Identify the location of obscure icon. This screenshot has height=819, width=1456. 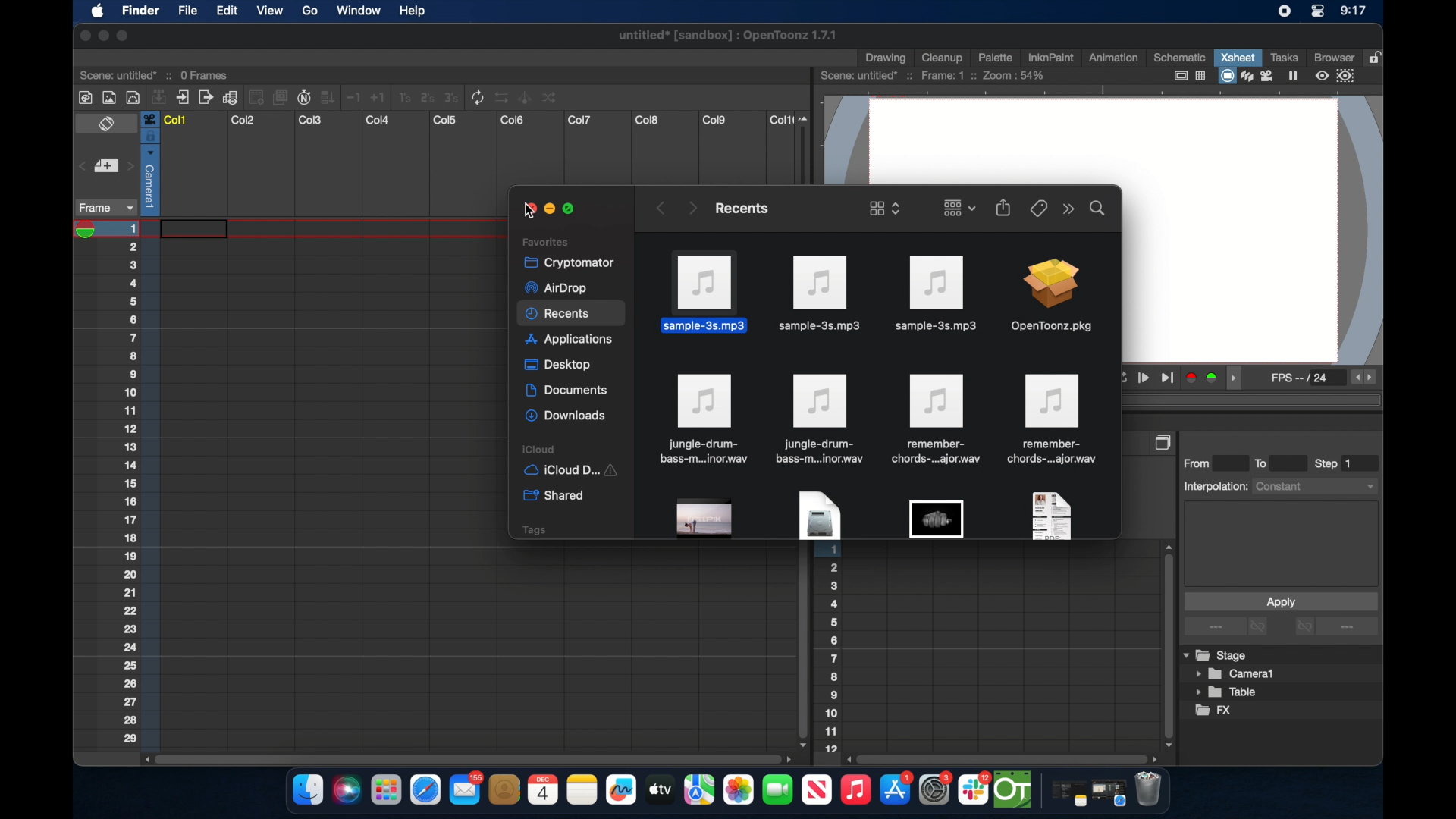
(1050, 515).